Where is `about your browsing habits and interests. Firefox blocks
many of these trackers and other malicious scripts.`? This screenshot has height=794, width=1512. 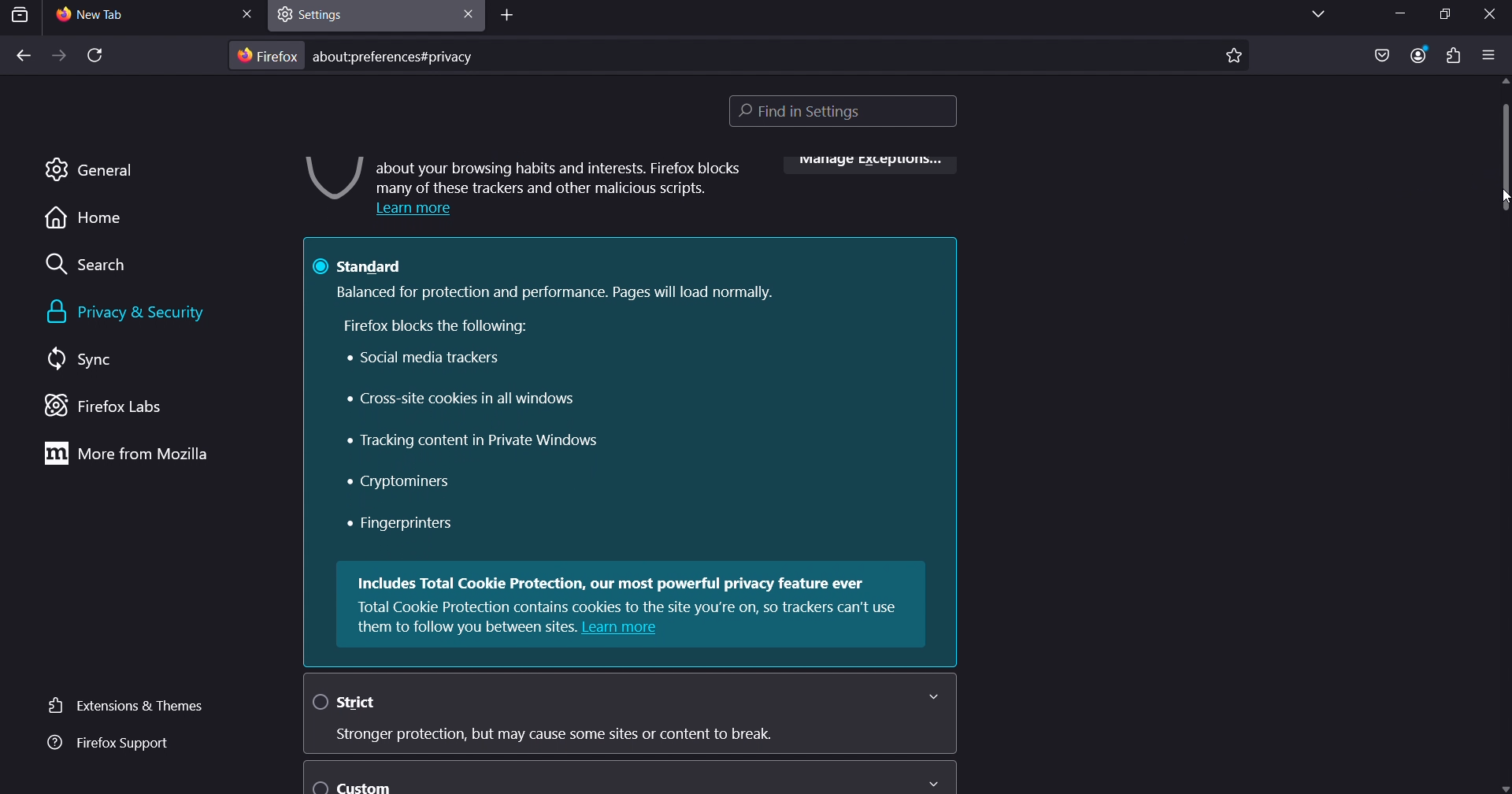
about your browsing habits and interests. Firefox blocks
many of these trackers and other malicious scripts. is located at coordinates (562, 175).